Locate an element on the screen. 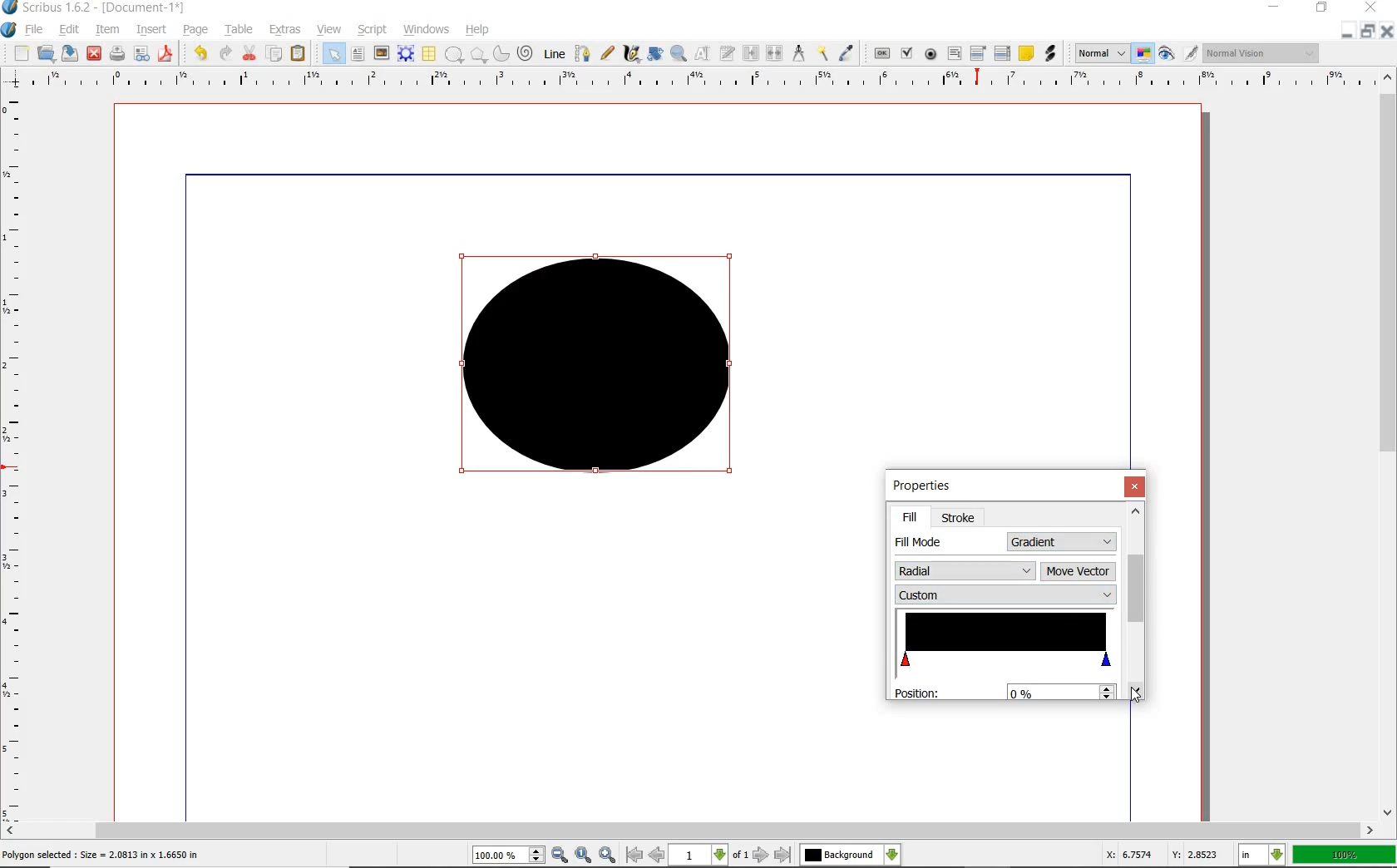 This screenshot has height=868, width=1397. PREVIEW MODE is located at coordinates (1165, 54).